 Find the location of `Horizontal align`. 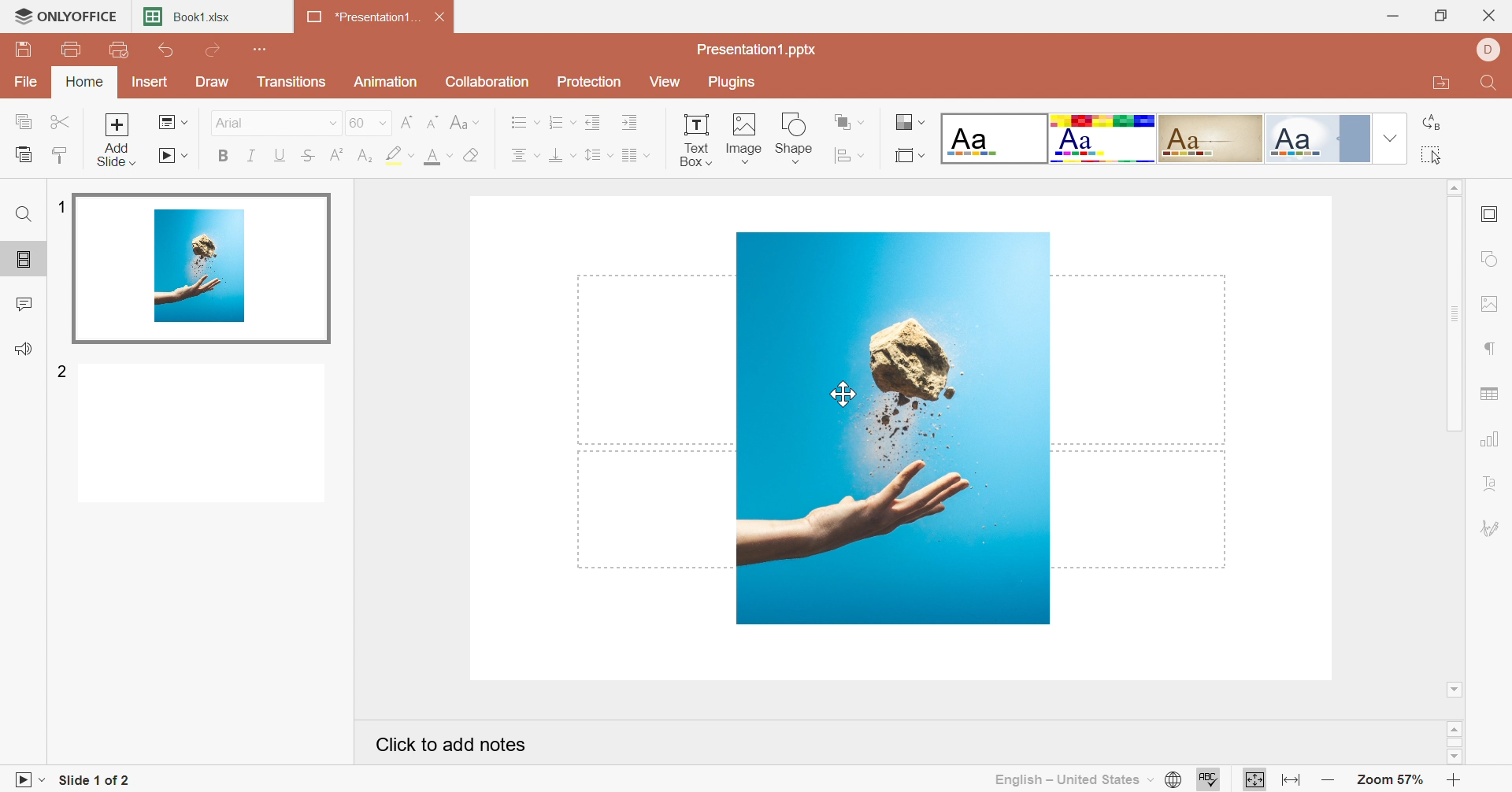

Horizontal align is located at coordinates (525, 154).